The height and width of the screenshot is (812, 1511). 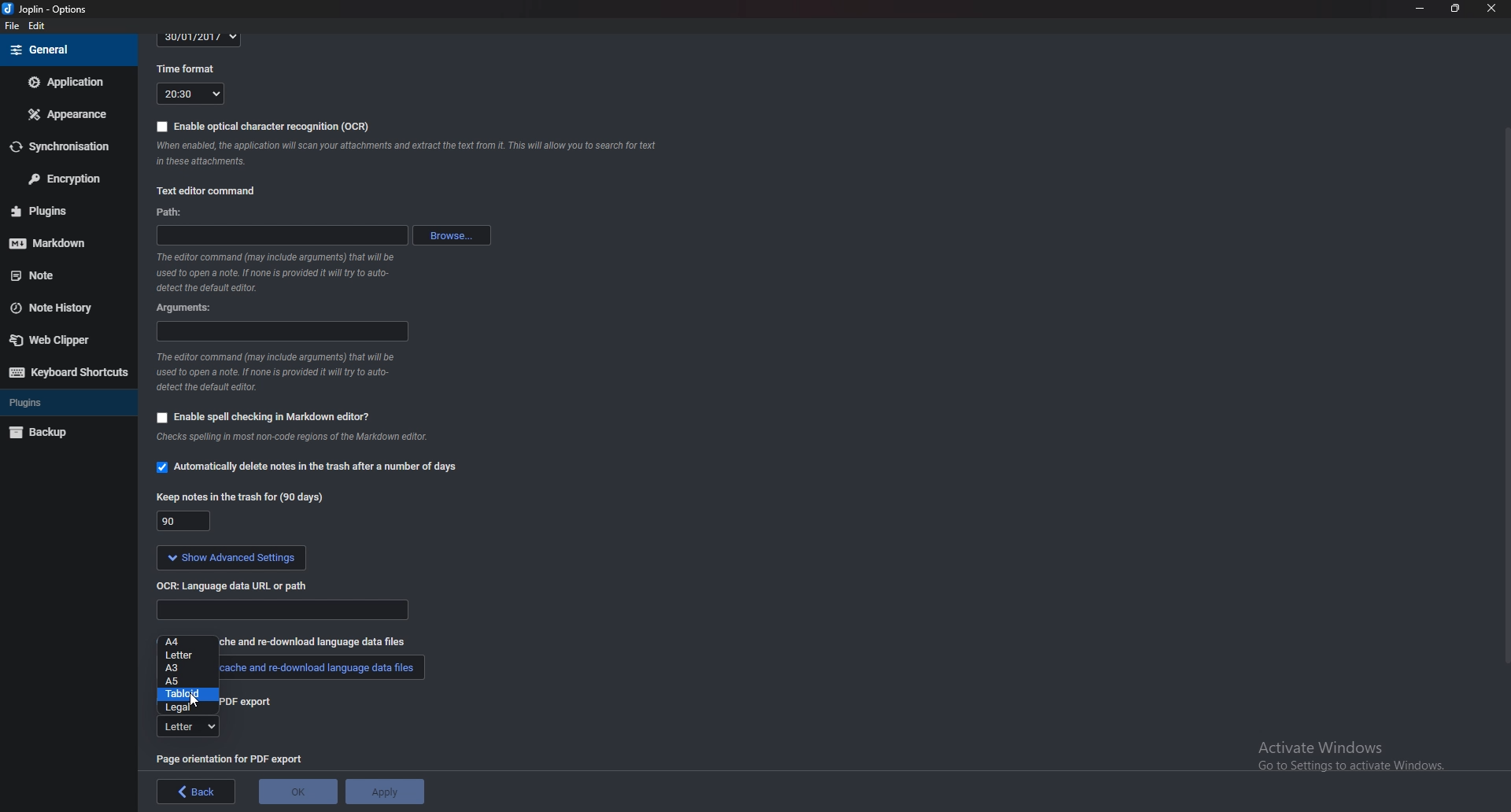 What do you see at coordinates (48, 9) in the screenshot?
I see `joplin` at bounding box center [48, 9].